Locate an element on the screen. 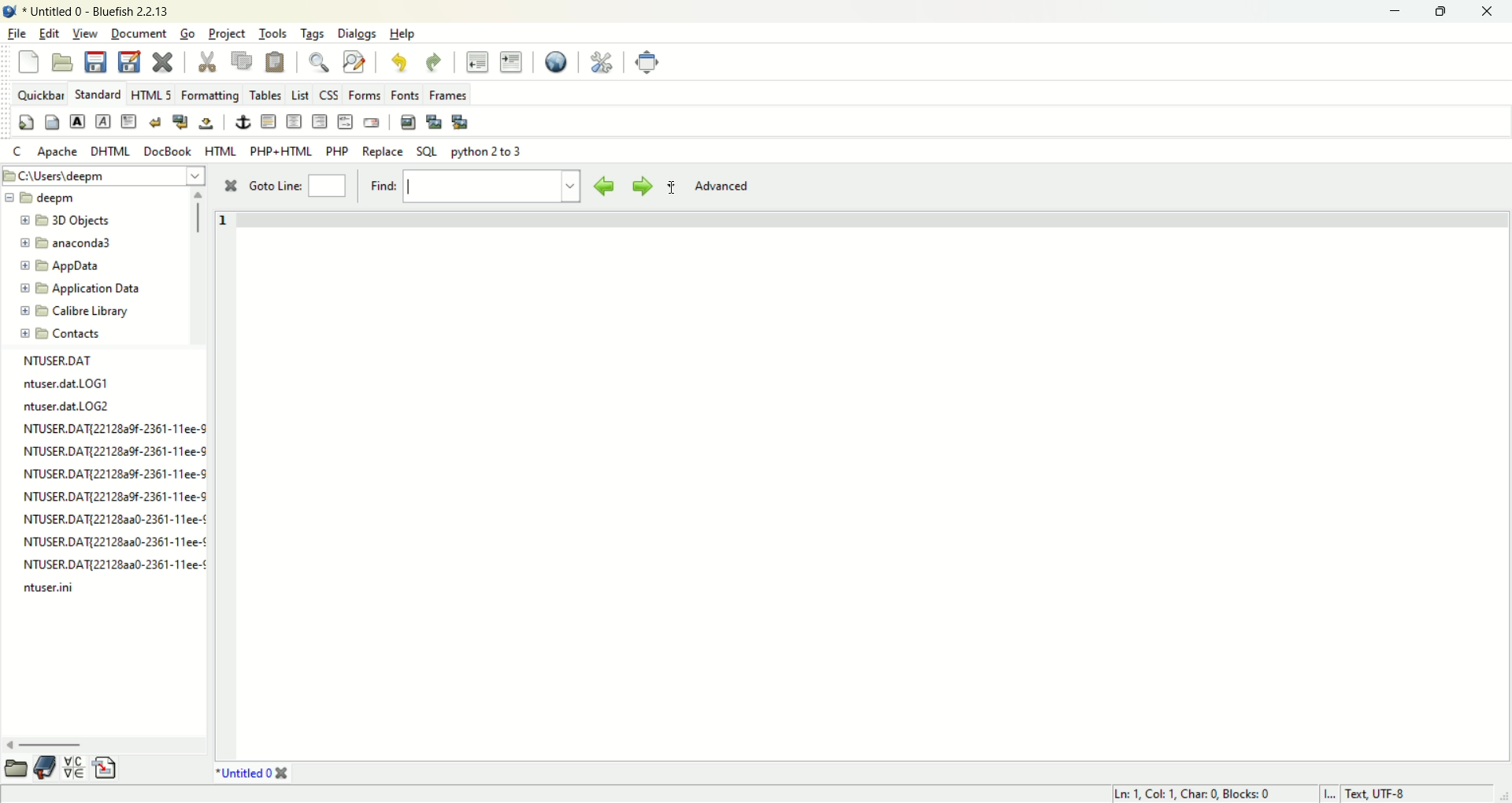  horizontal scroll bar is located at coordinates (50, 746).